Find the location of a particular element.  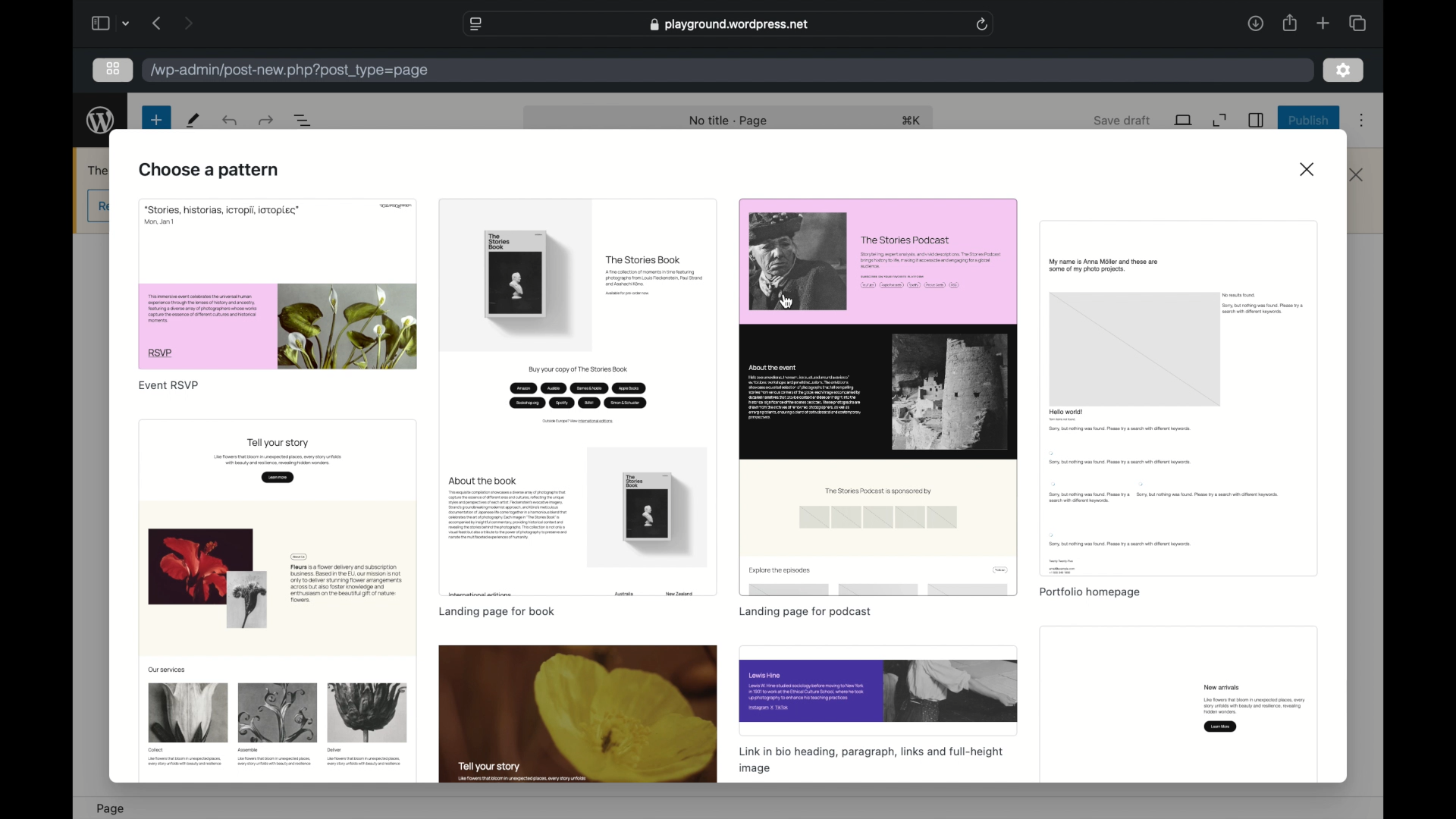

preview is located at coordinates (579, 398).